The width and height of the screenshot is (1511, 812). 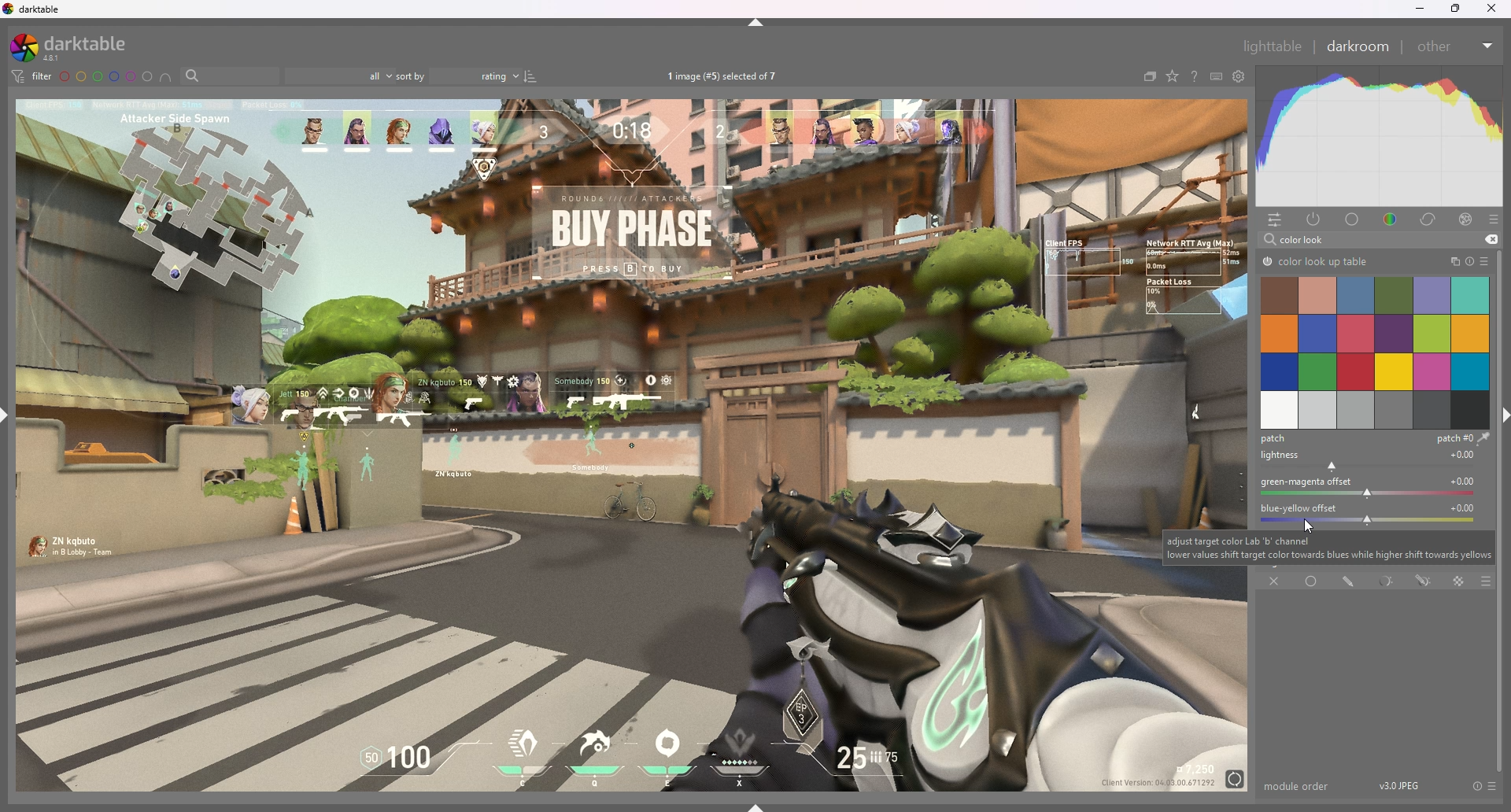 I want to click on uniformly, so click(x=1311, y=581).